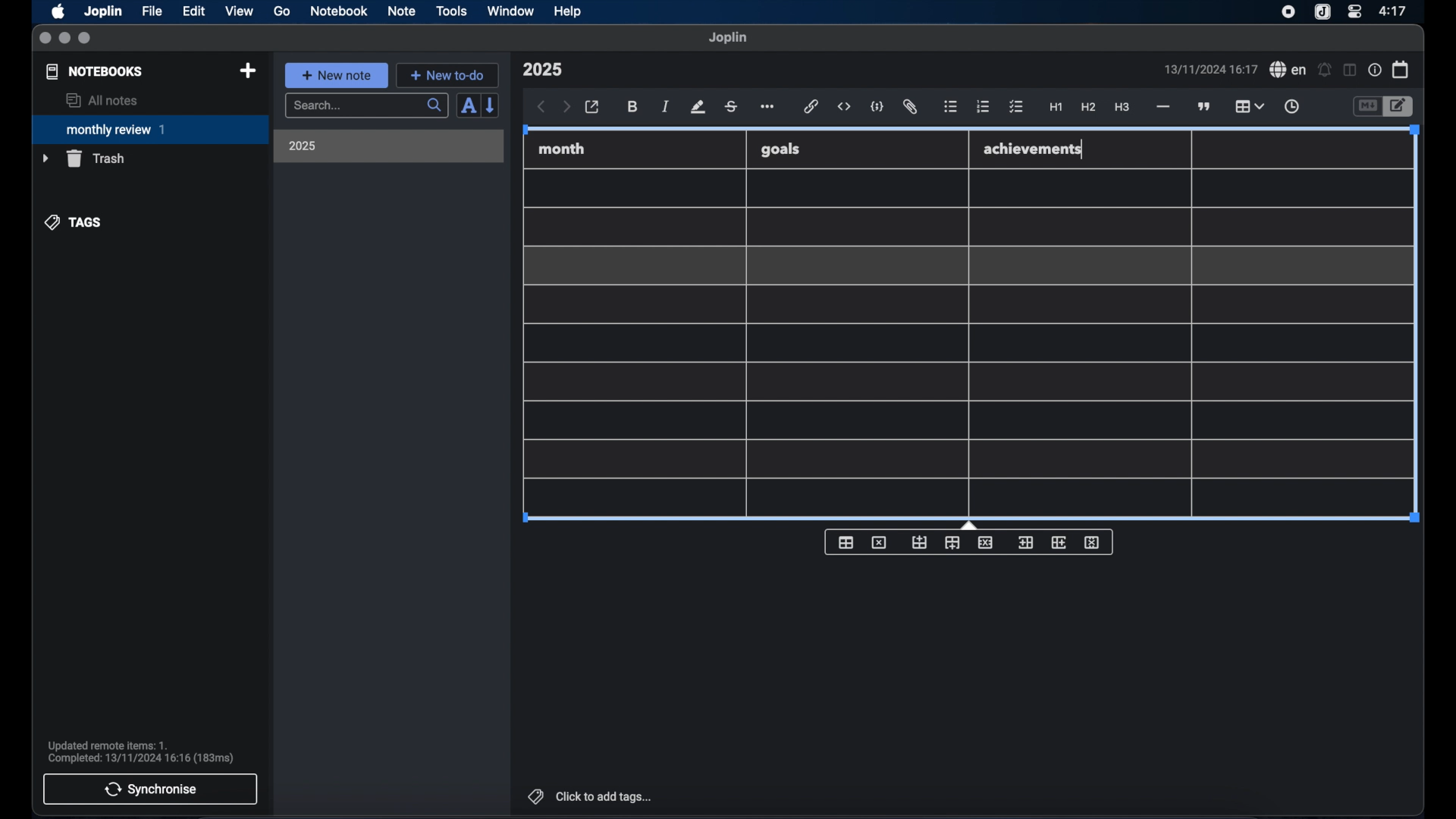  Describe the element at coordinates (74, 222) in the screenshot. I see `tags` at that location.